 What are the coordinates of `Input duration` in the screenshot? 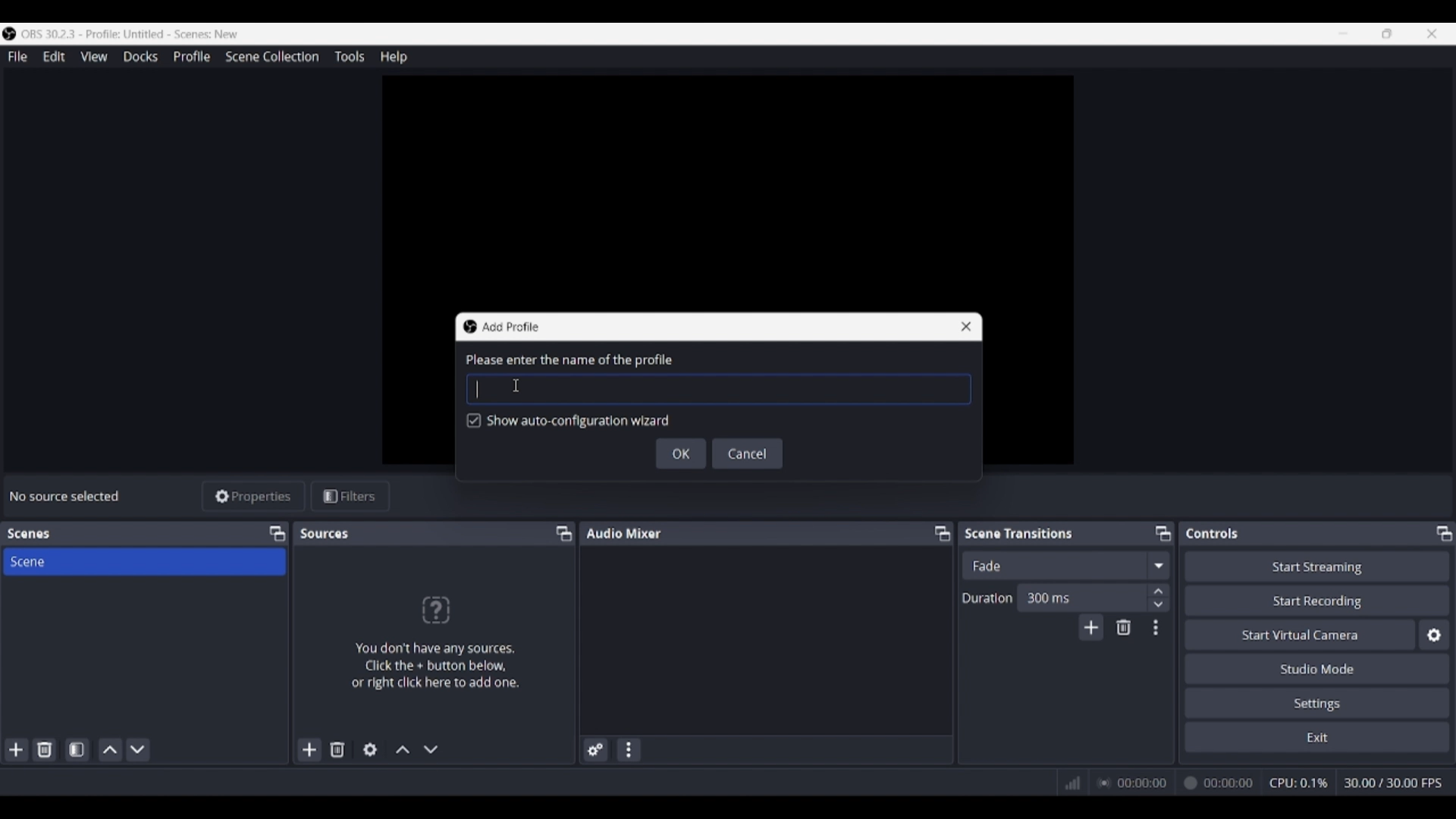 It's located at (1081, 597).